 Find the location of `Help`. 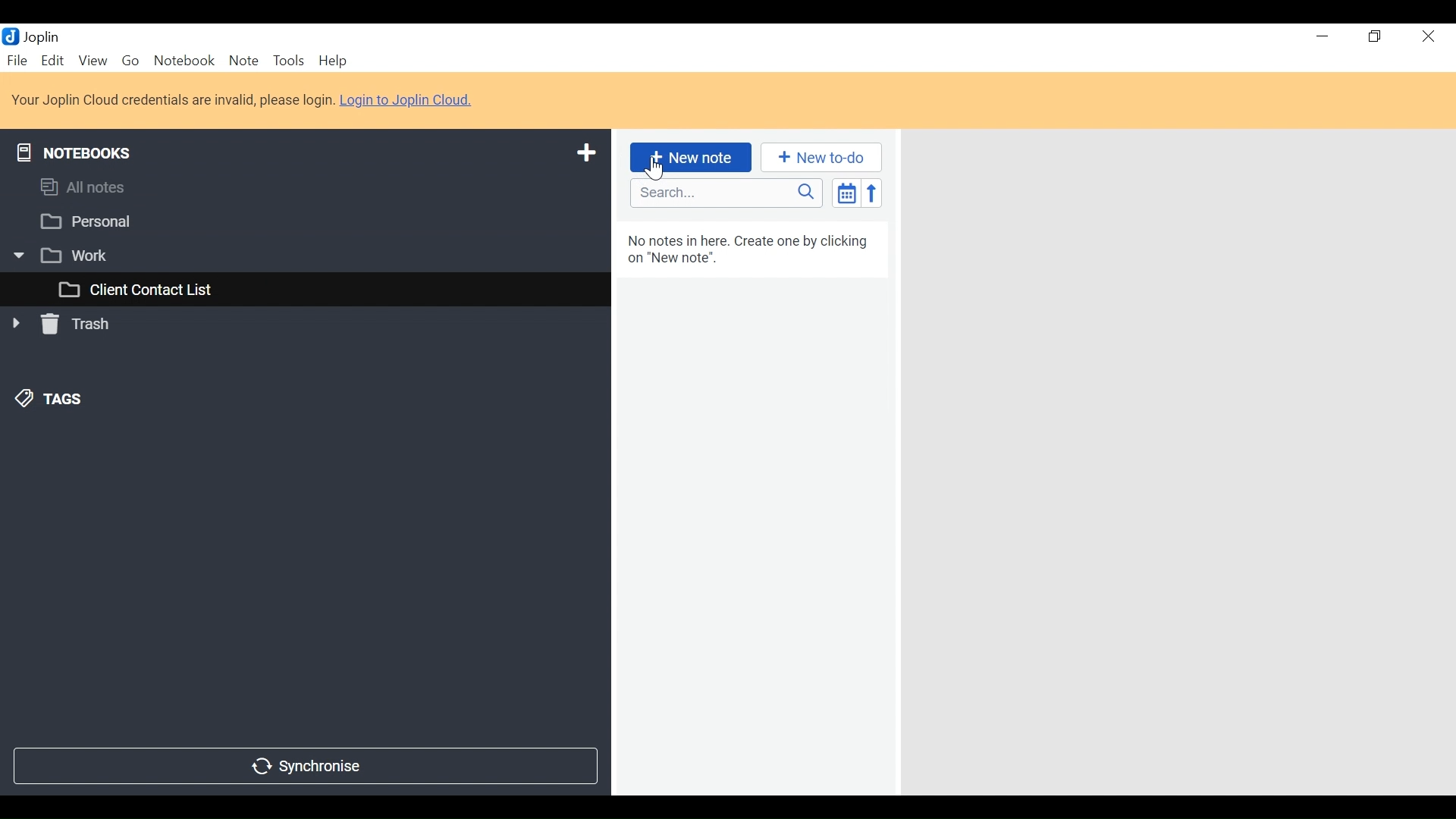

Help is located at coordinates (331, 61).